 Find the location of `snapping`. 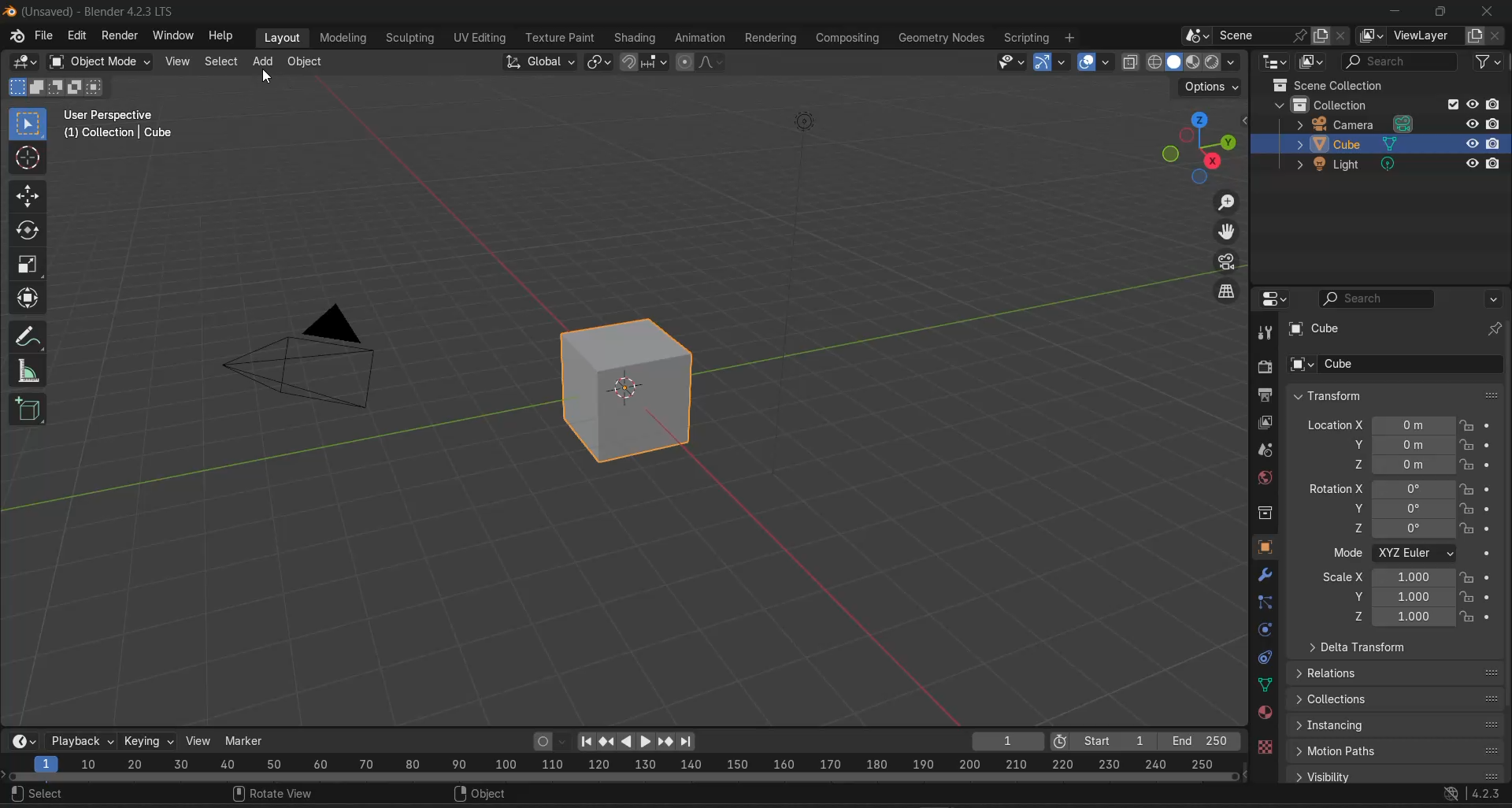

snapping is located at coordinates (657, 61).